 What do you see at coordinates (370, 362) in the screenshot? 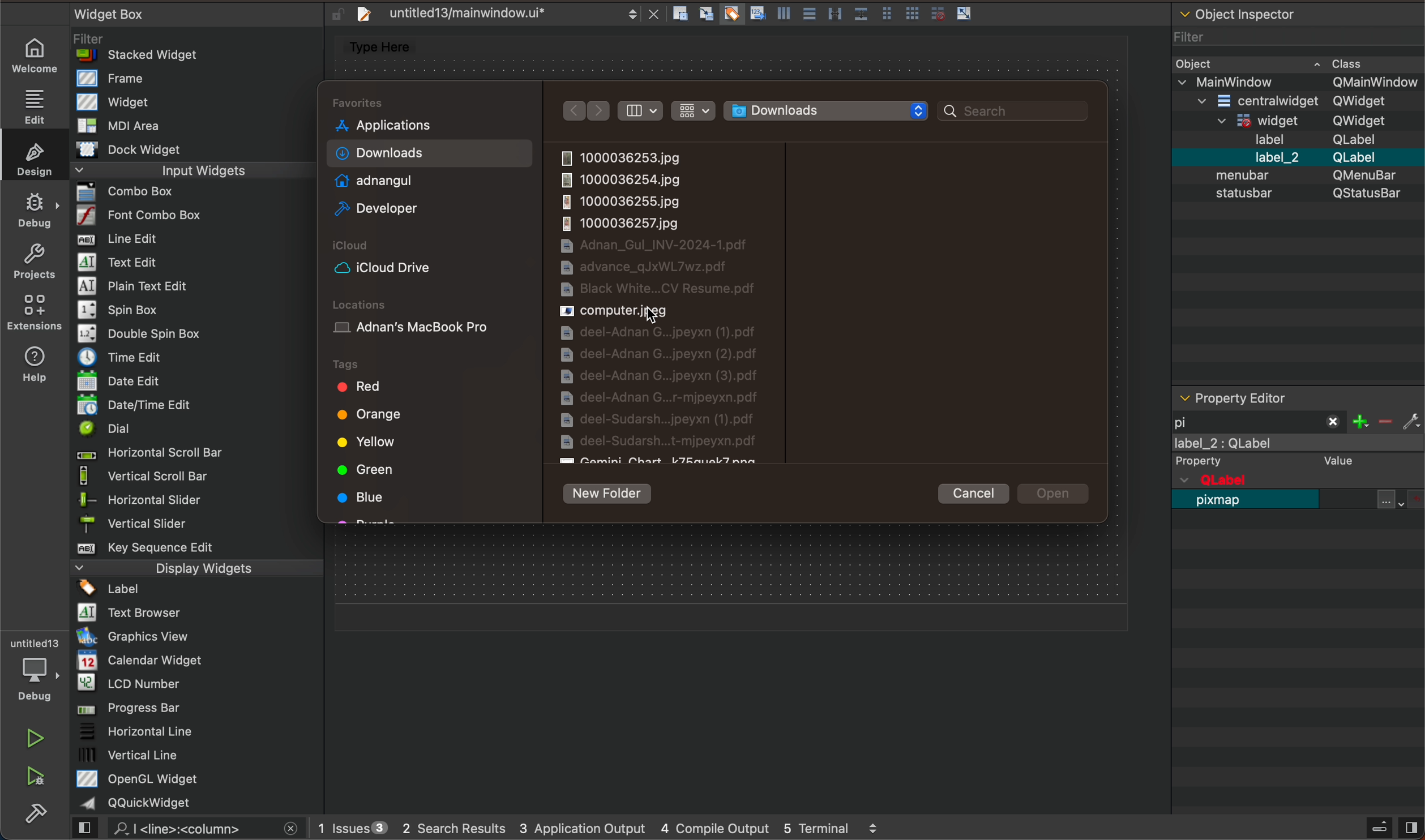
I see `tags` at bounding box center [370, 362].